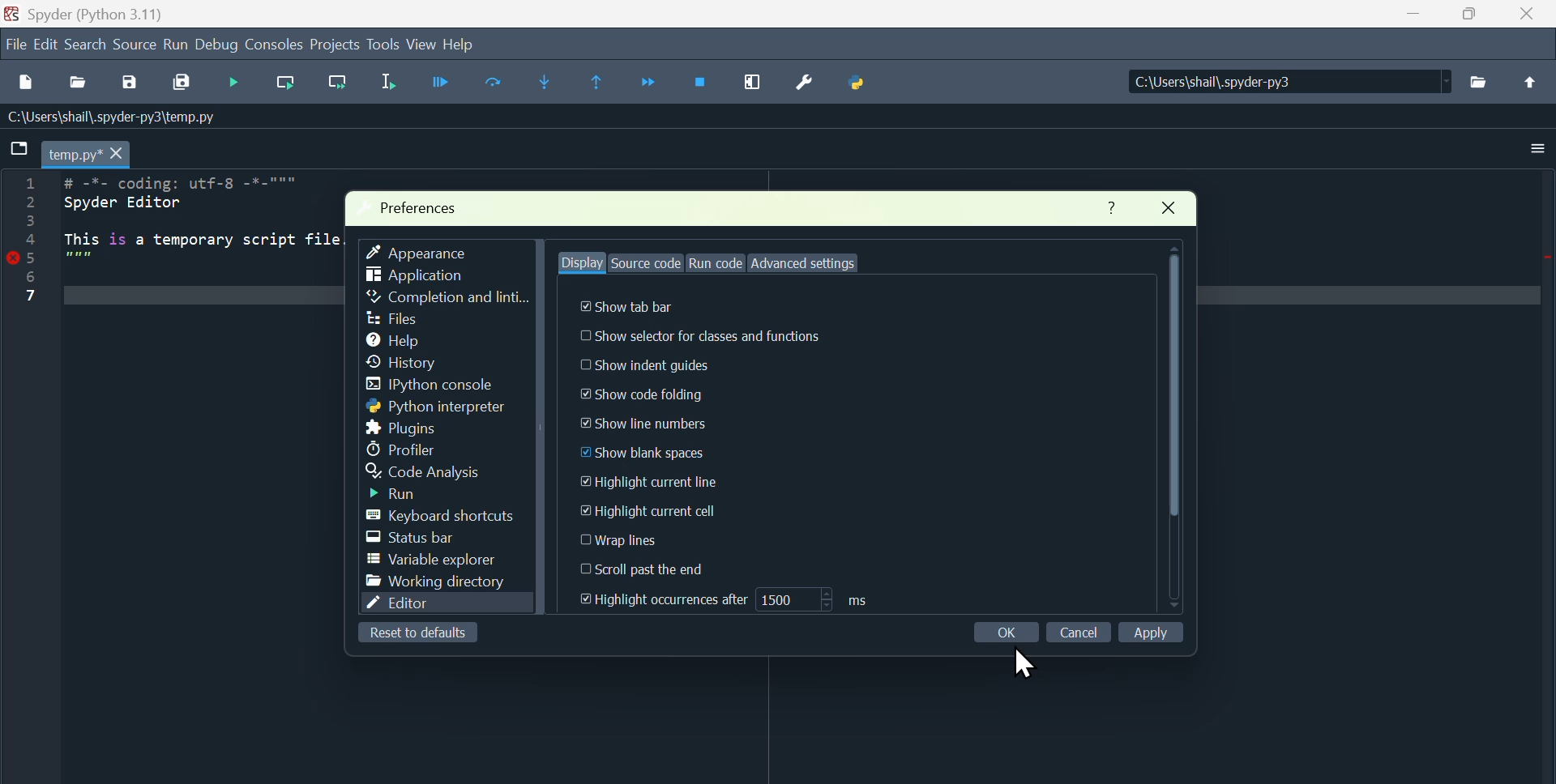 This screenshot has height=784, width=1556. Describe the element at coordinates (453, 518) in the screenshot. I see `Keyboard shortcut` at that location.